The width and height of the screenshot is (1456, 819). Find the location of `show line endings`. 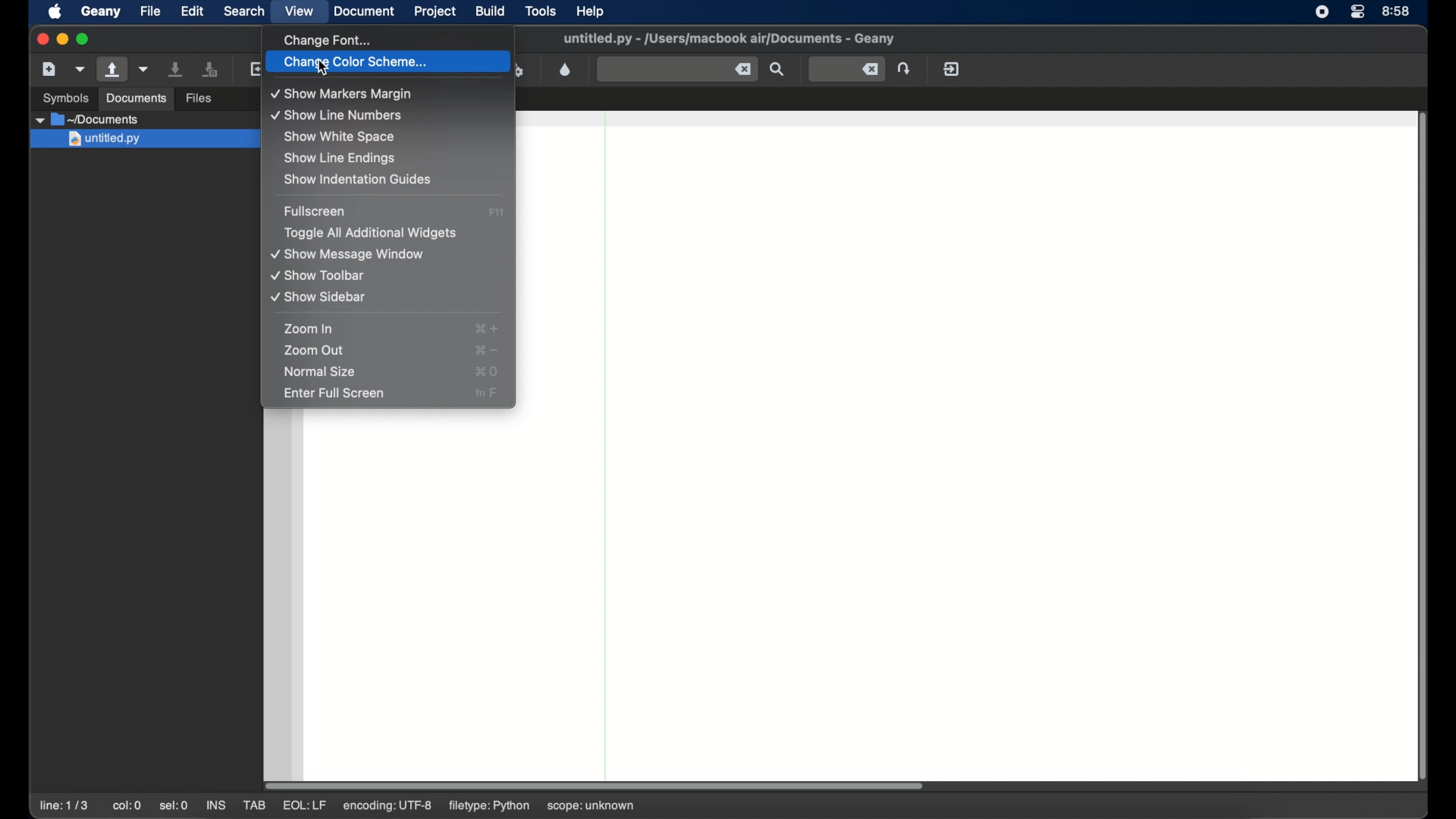

show line endings is located at coordinates (340, 158).